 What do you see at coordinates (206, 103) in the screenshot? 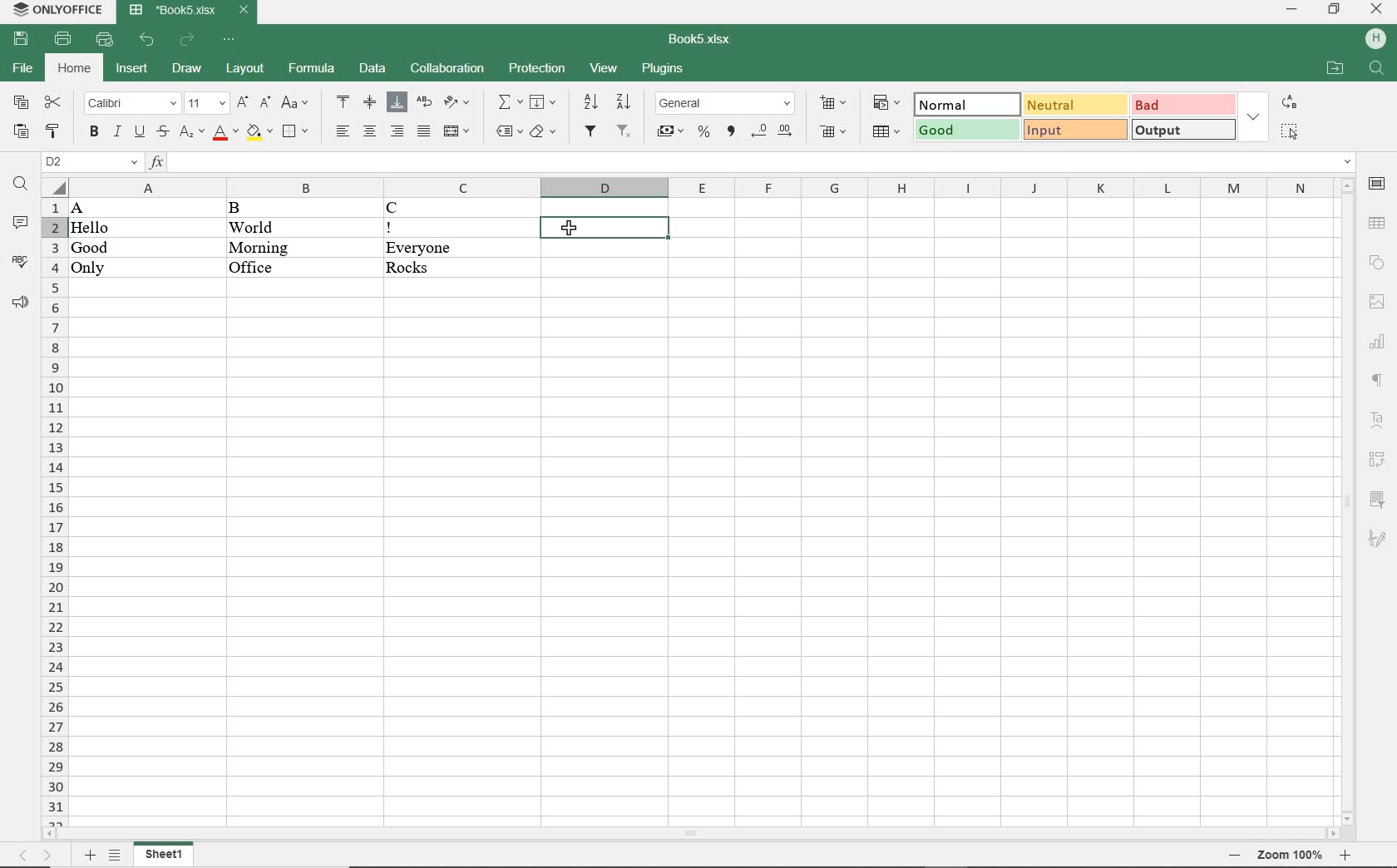
I see `FONT SIZE` at bounding box center [206, 103].